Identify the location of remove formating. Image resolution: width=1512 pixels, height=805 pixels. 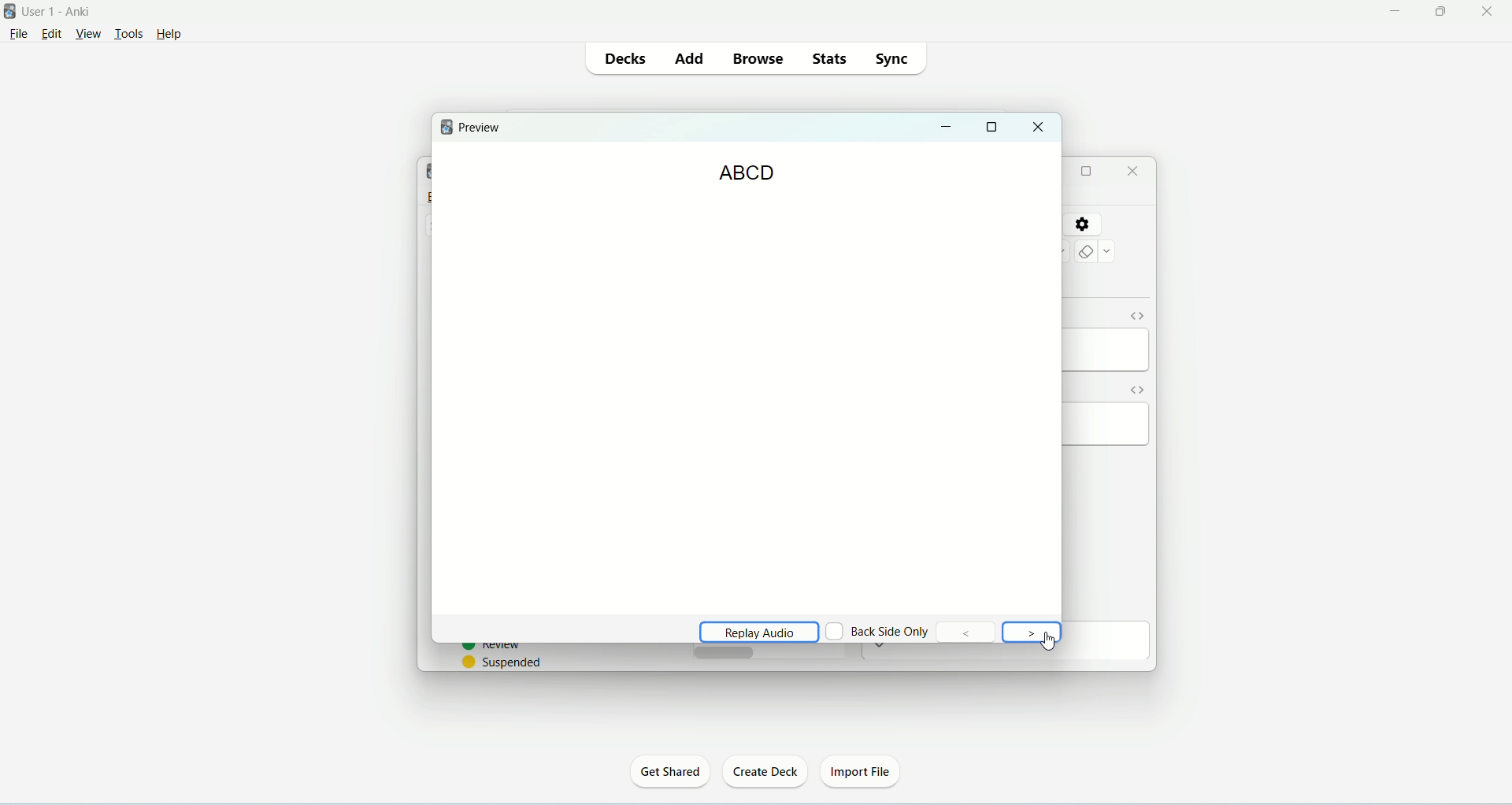
(1095, 251).